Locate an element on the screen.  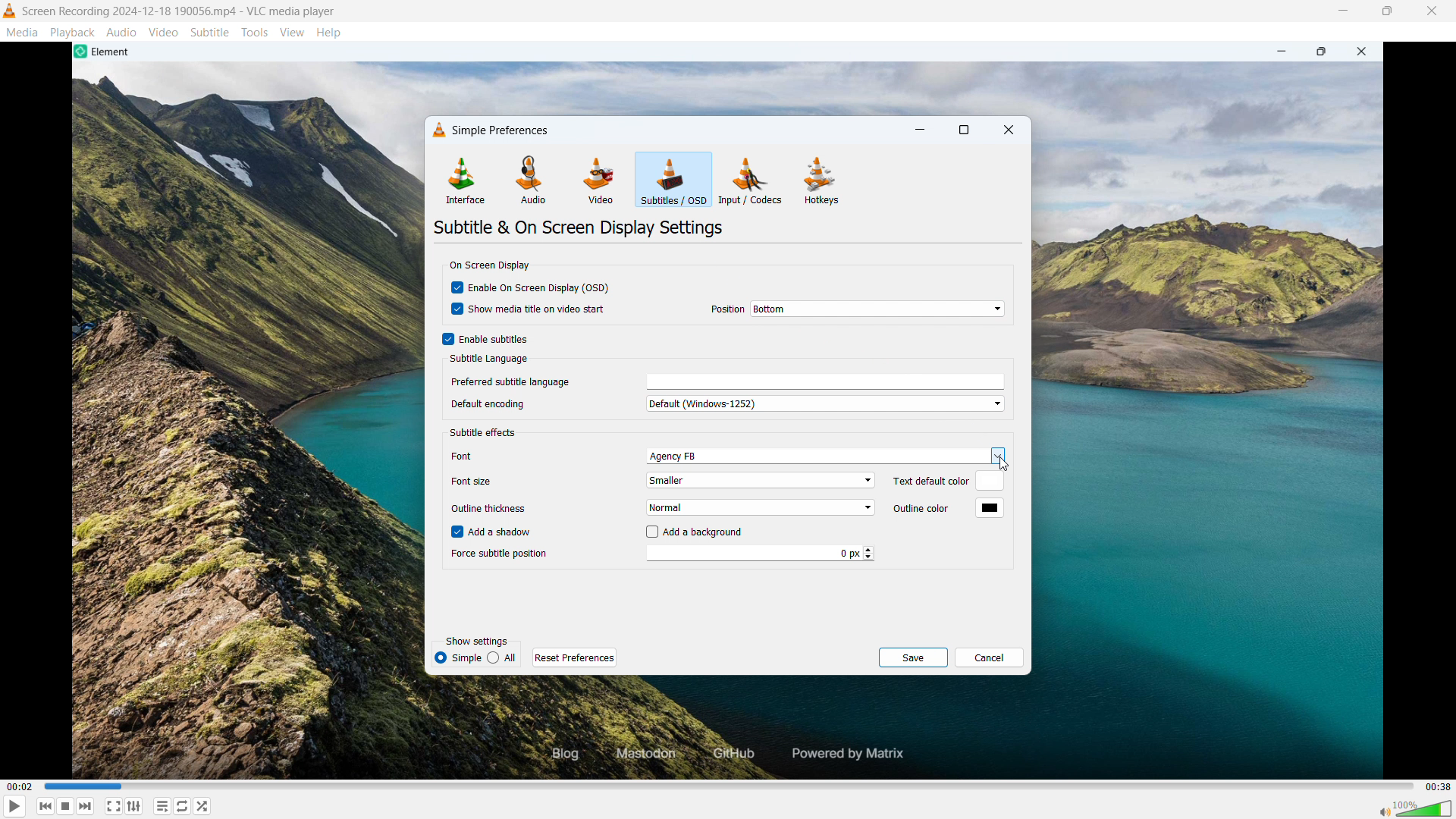
full screen is located at coordinates (114, 806).